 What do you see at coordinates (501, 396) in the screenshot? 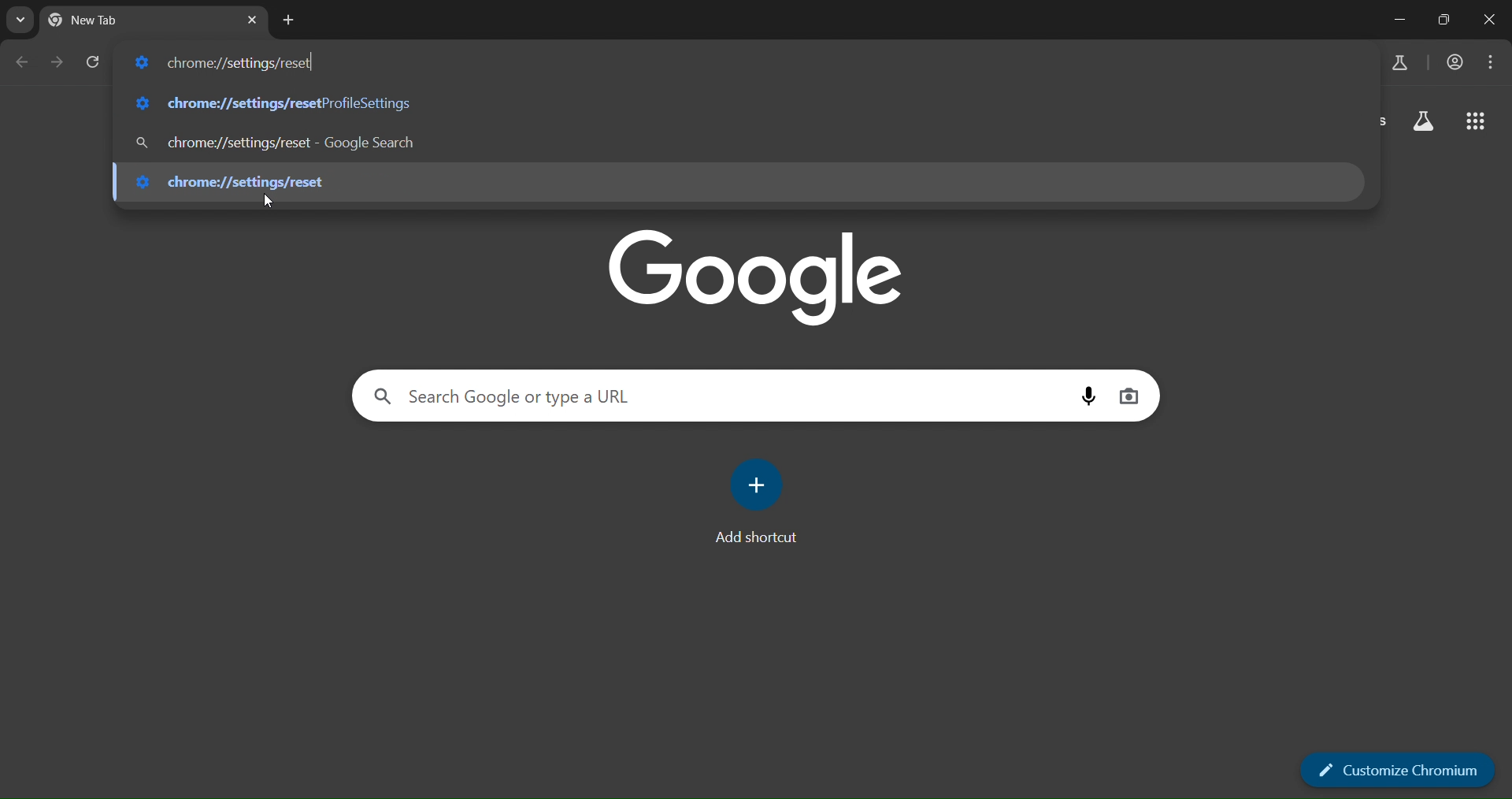
I see `search panel` at bounding box center [501, 396].